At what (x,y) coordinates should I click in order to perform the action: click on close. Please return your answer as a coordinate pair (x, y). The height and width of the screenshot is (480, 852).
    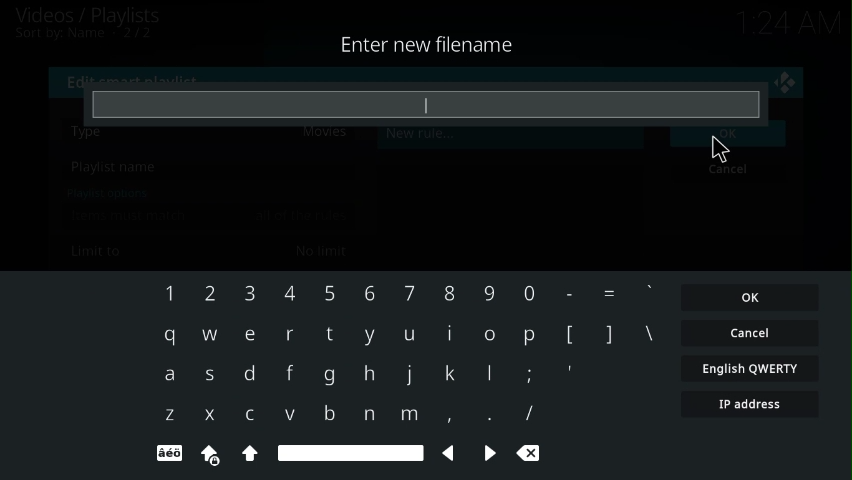
    Looking at the image, I should click on (787, 83).